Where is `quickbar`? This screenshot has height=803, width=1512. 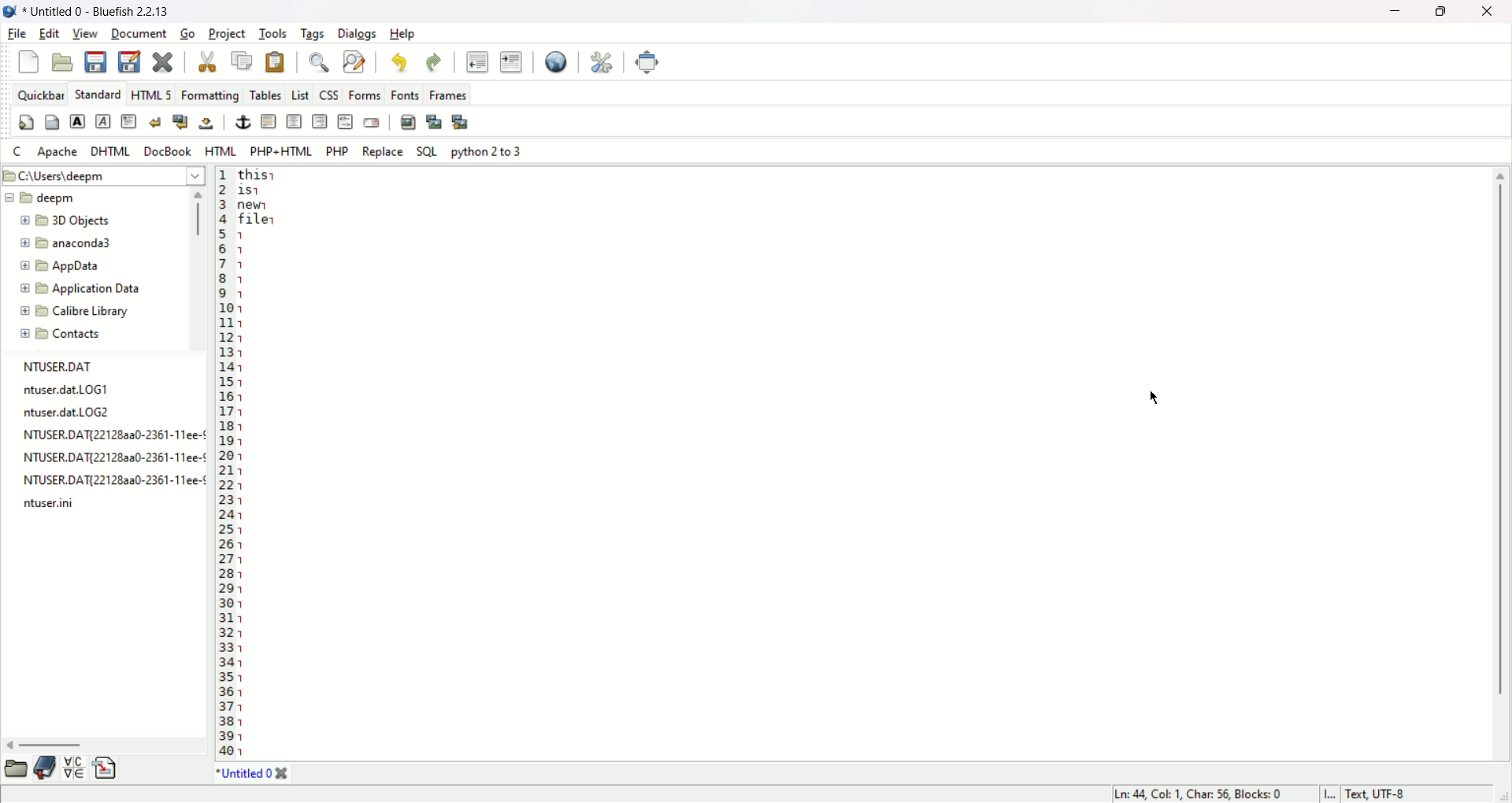 quickbar is located at coordinates (40, 94).